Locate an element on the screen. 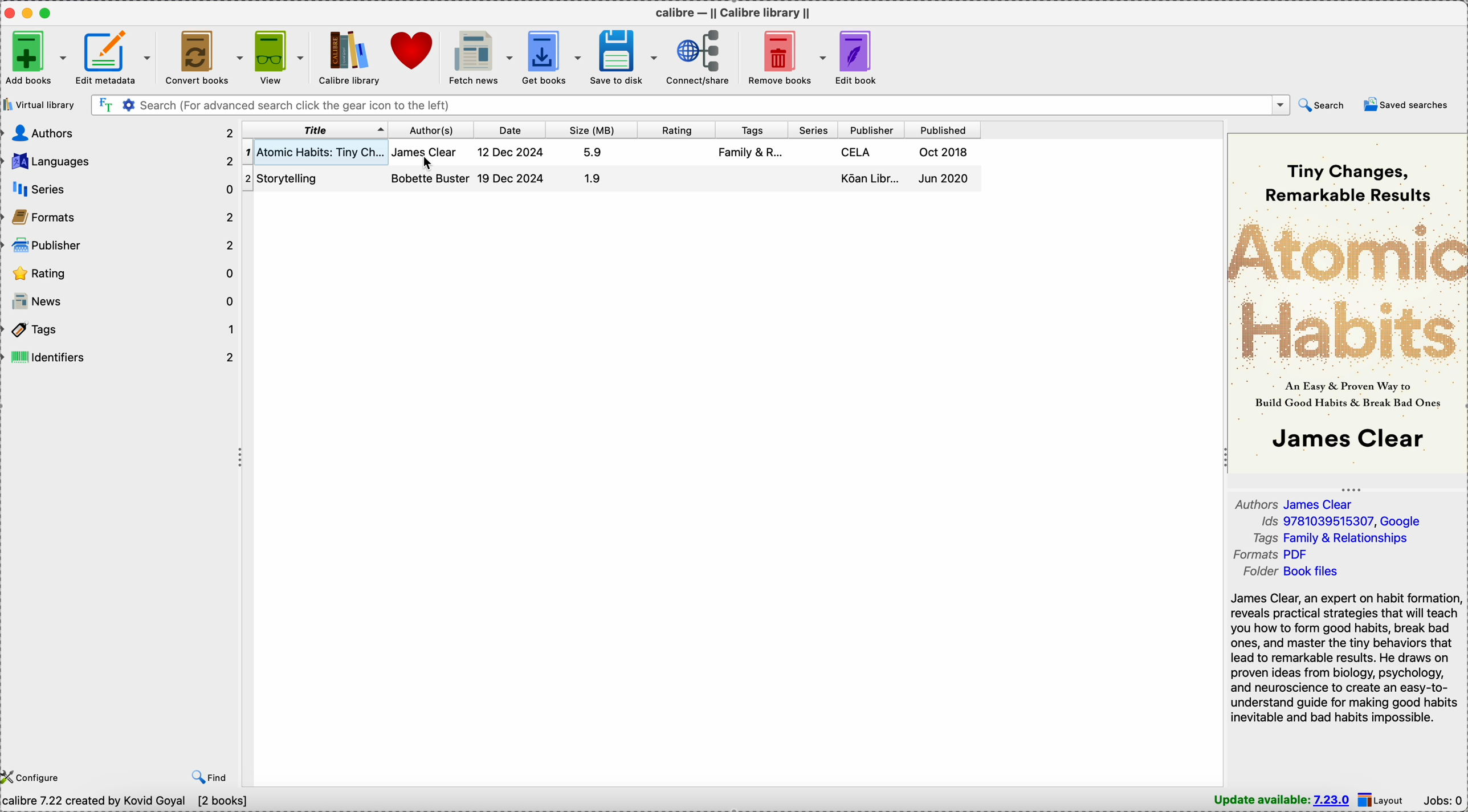 The height and width of the screenshot is (812, 1468). book cover preview is located at coordinates (1346, 303).